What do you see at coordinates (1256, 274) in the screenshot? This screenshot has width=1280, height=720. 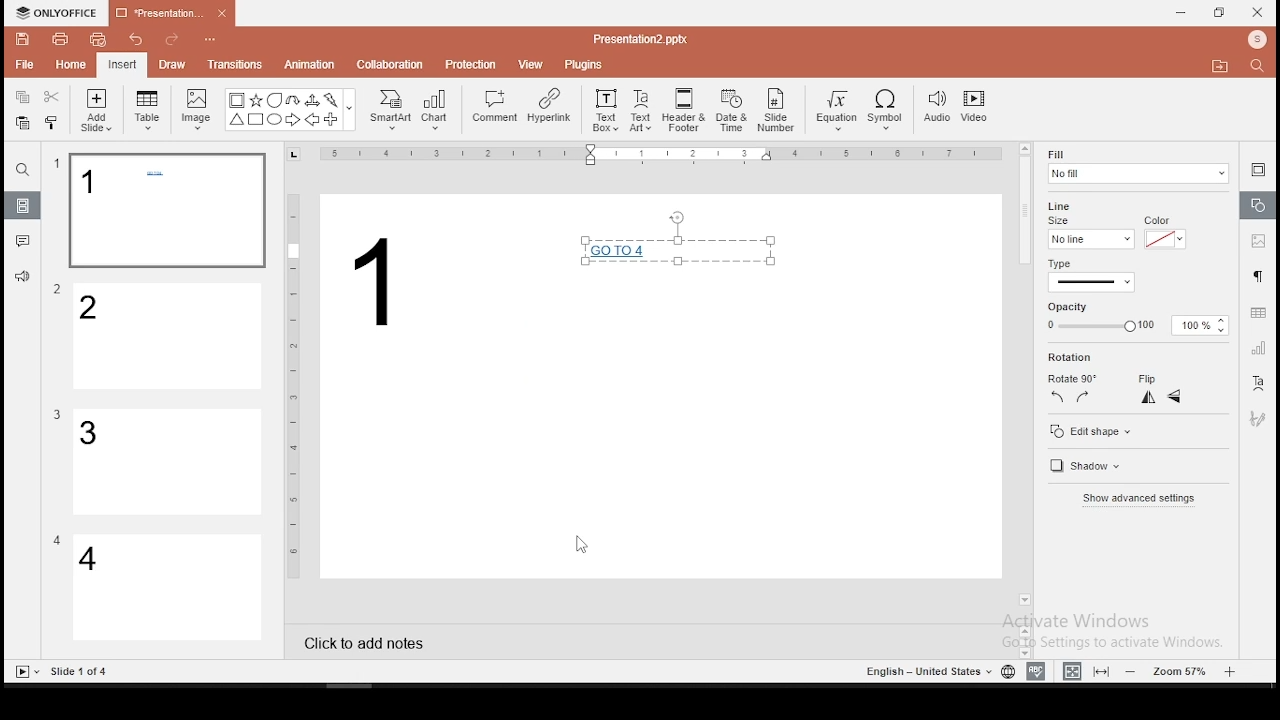 I see `paragraph settings` at bounding box center [1256, 274].